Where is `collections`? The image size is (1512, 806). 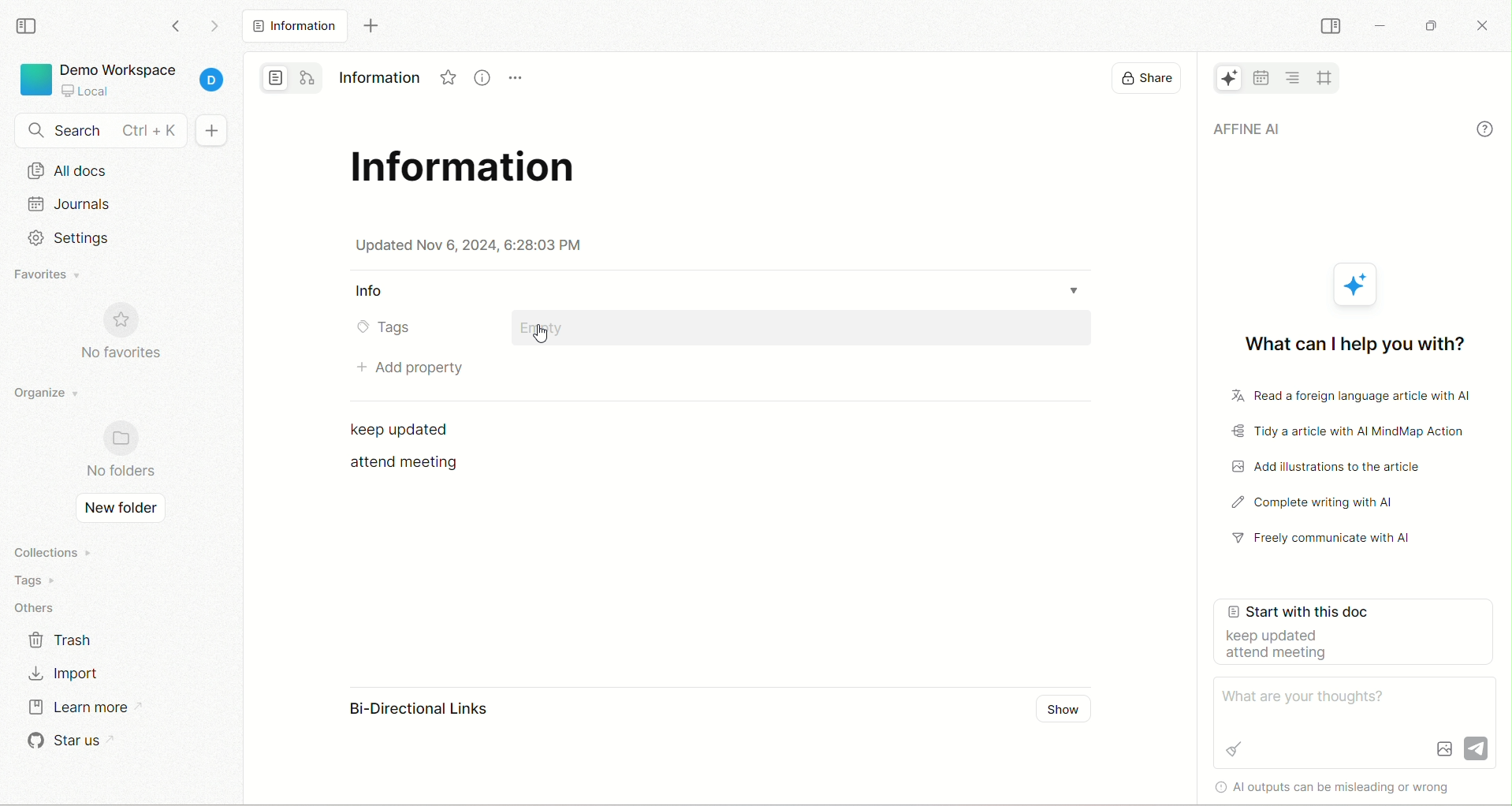
collections is located at coordinates (49, 550).